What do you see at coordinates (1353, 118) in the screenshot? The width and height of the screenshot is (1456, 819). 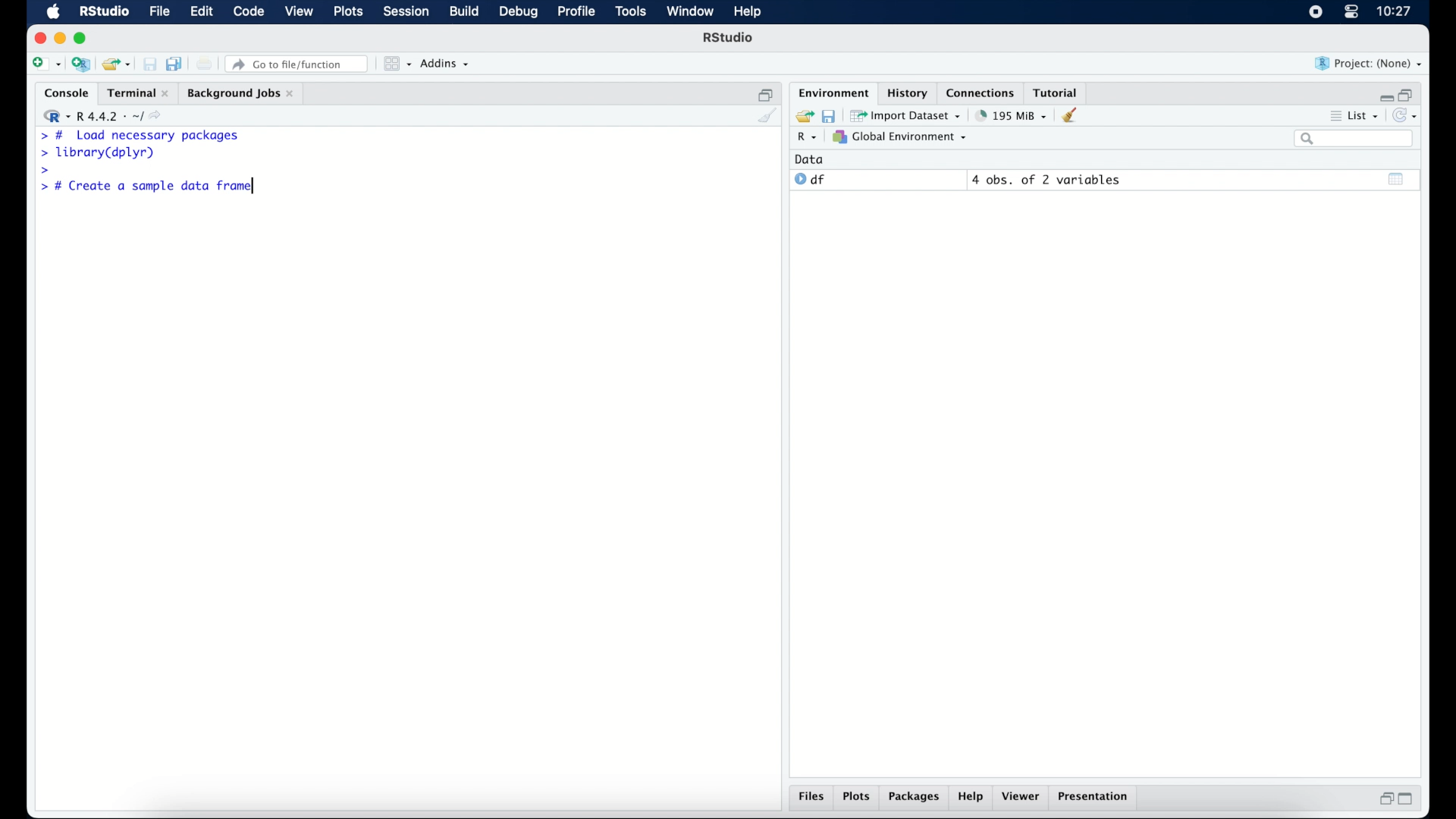 I see `list` at bounding box center [1353, 118].